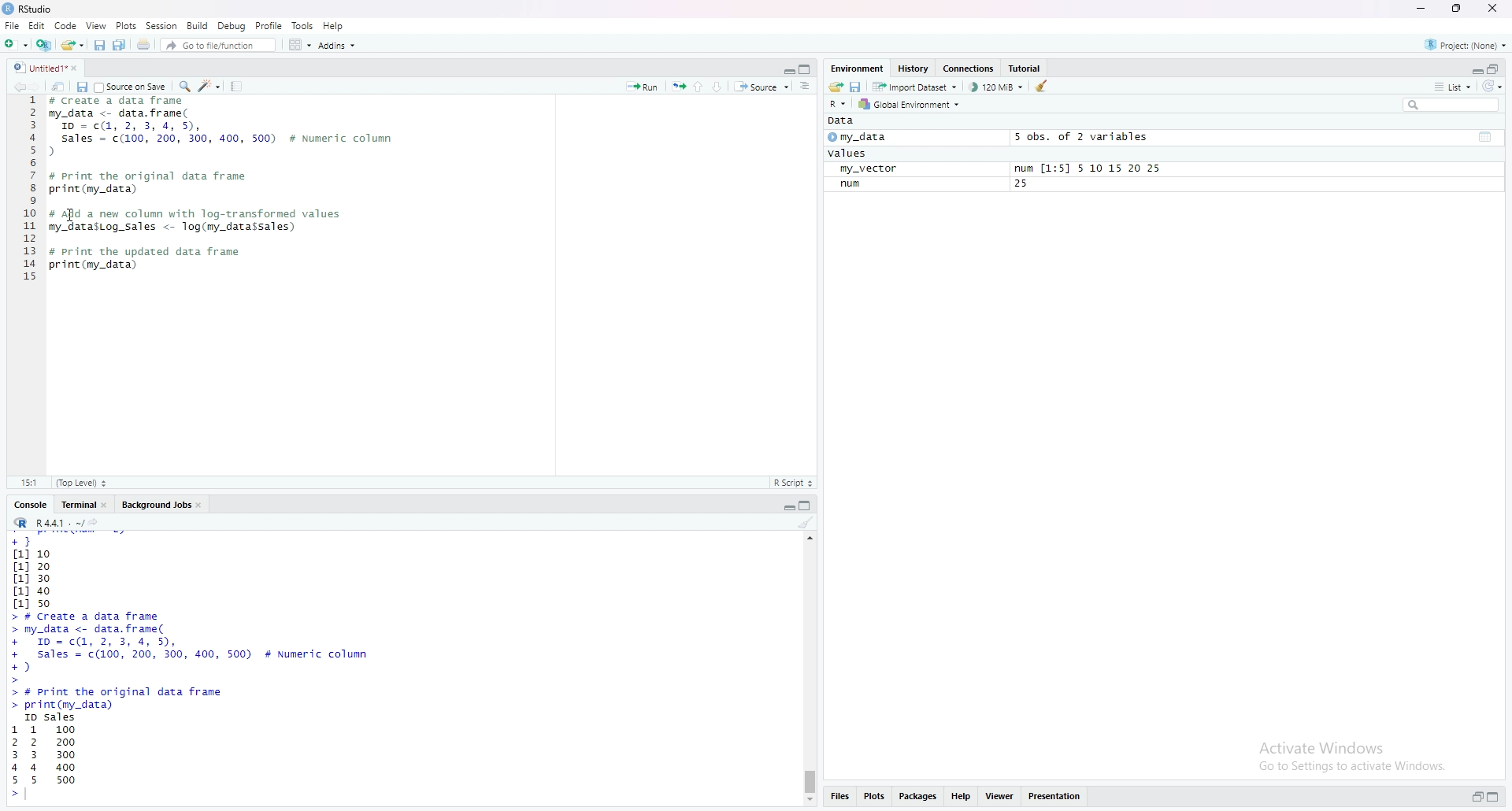 This screenshot has height=811, width=1512. Describe the element at coordinates (915, 106) in the screenshot. I see `global environment` at that location.